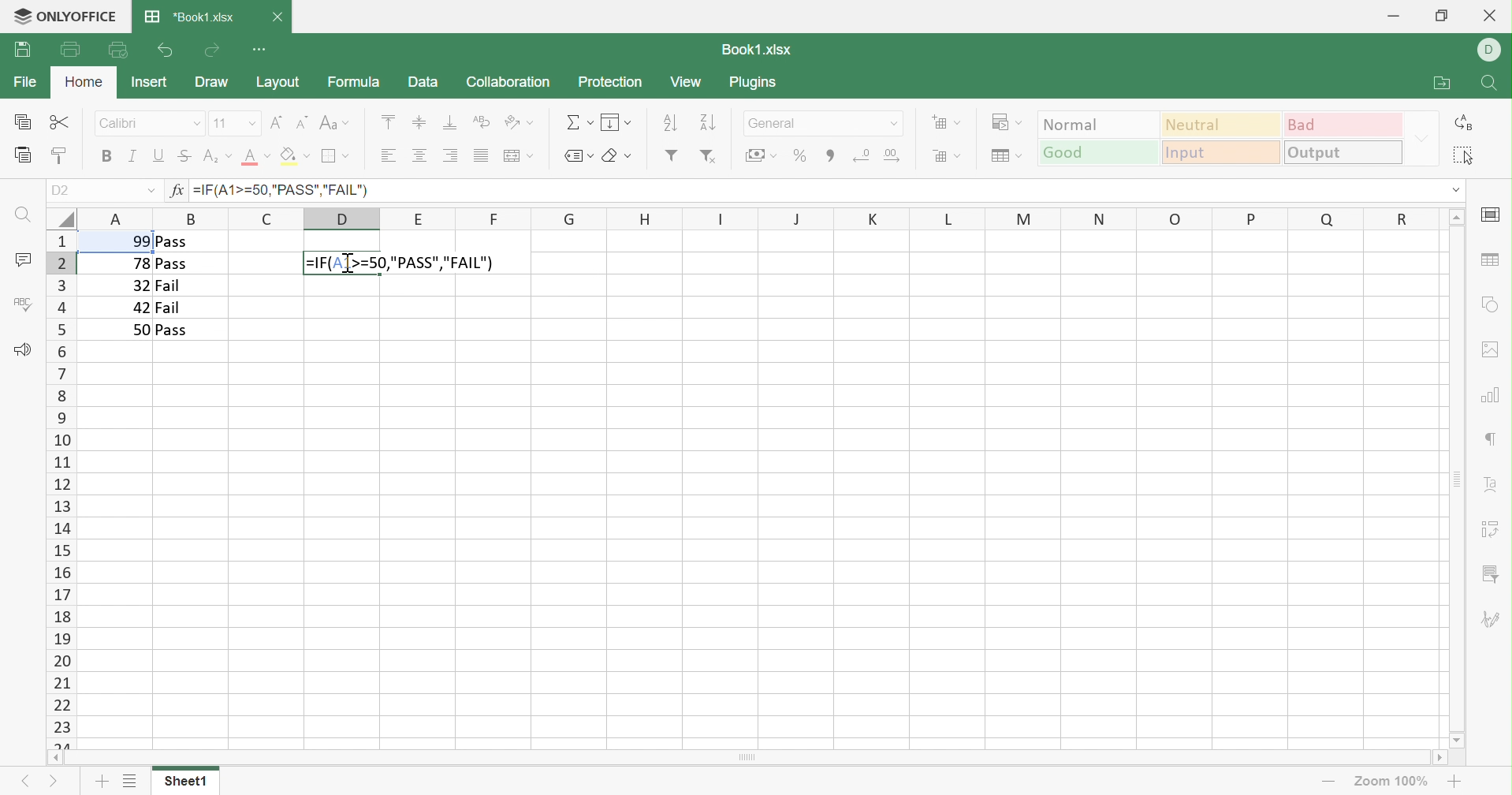  What do you see at coordinates (138, 286) in the screenshot?
I see `32` at bounding box center [138, 286].